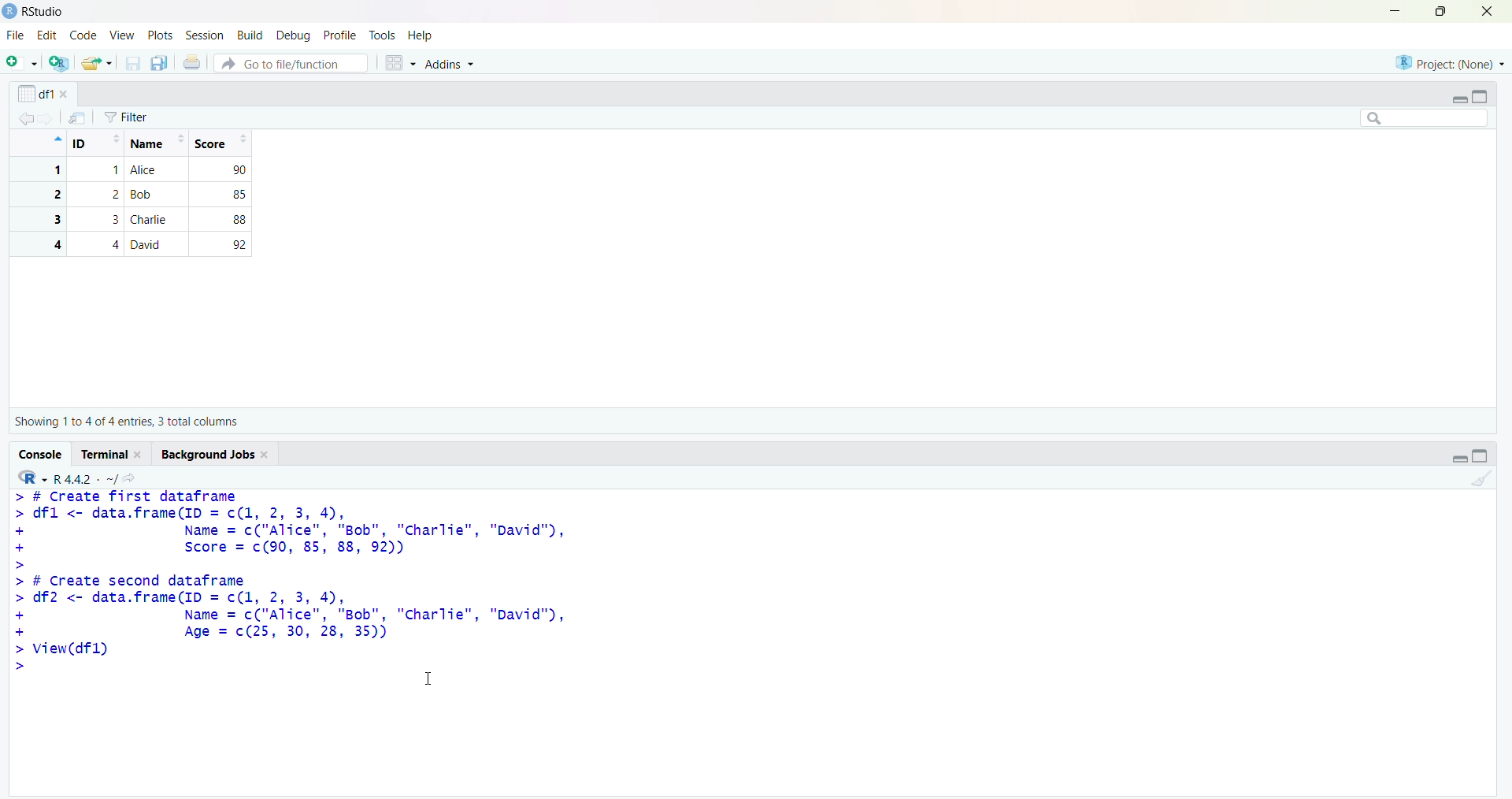 This screenshot has height=799, width=1512. I want to click on Background jobs, so click(208, 455).